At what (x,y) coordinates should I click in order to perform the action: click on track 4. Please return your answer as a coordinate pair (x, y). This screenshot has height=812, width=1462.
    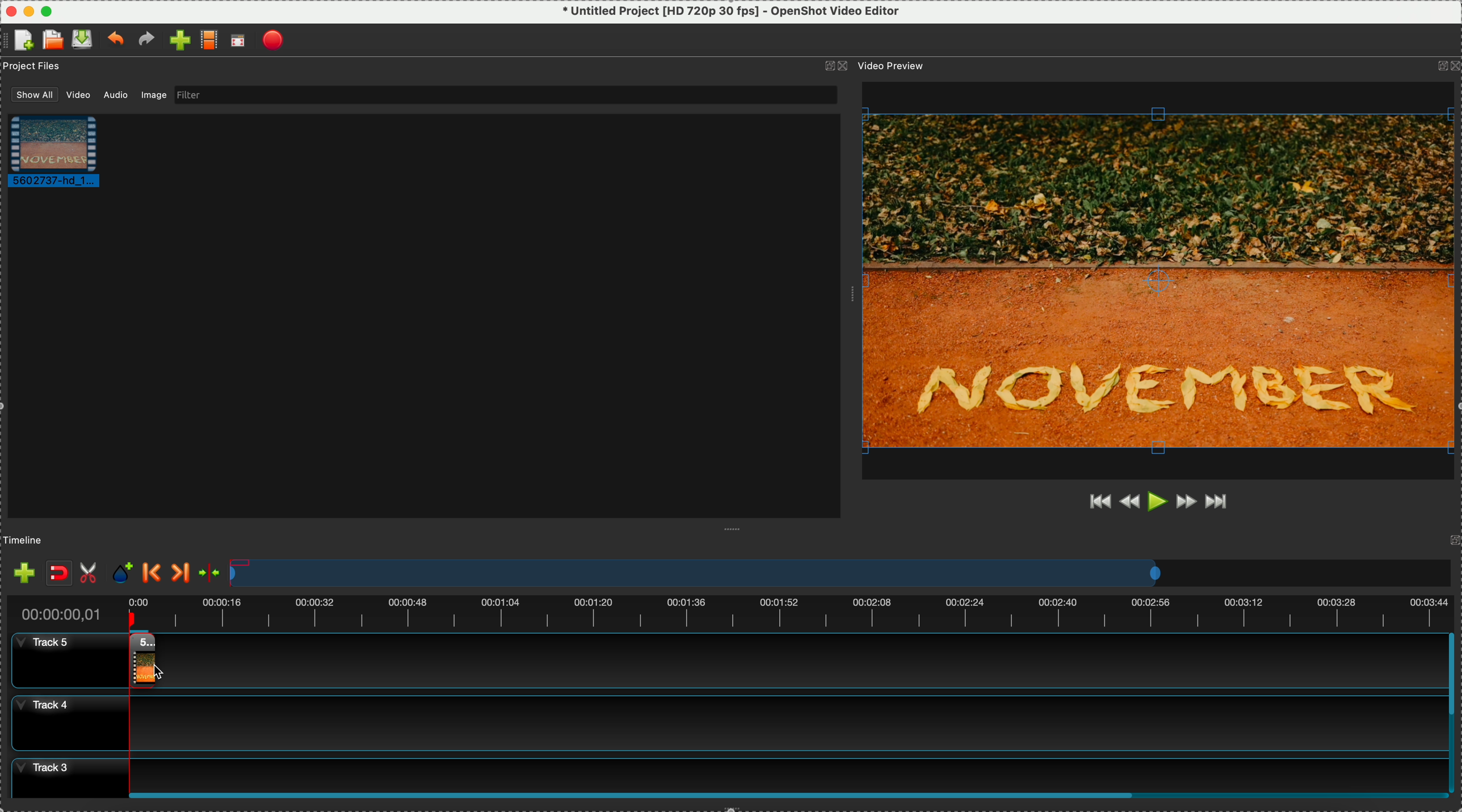
    Looking at the image, I should click on (722, 723).